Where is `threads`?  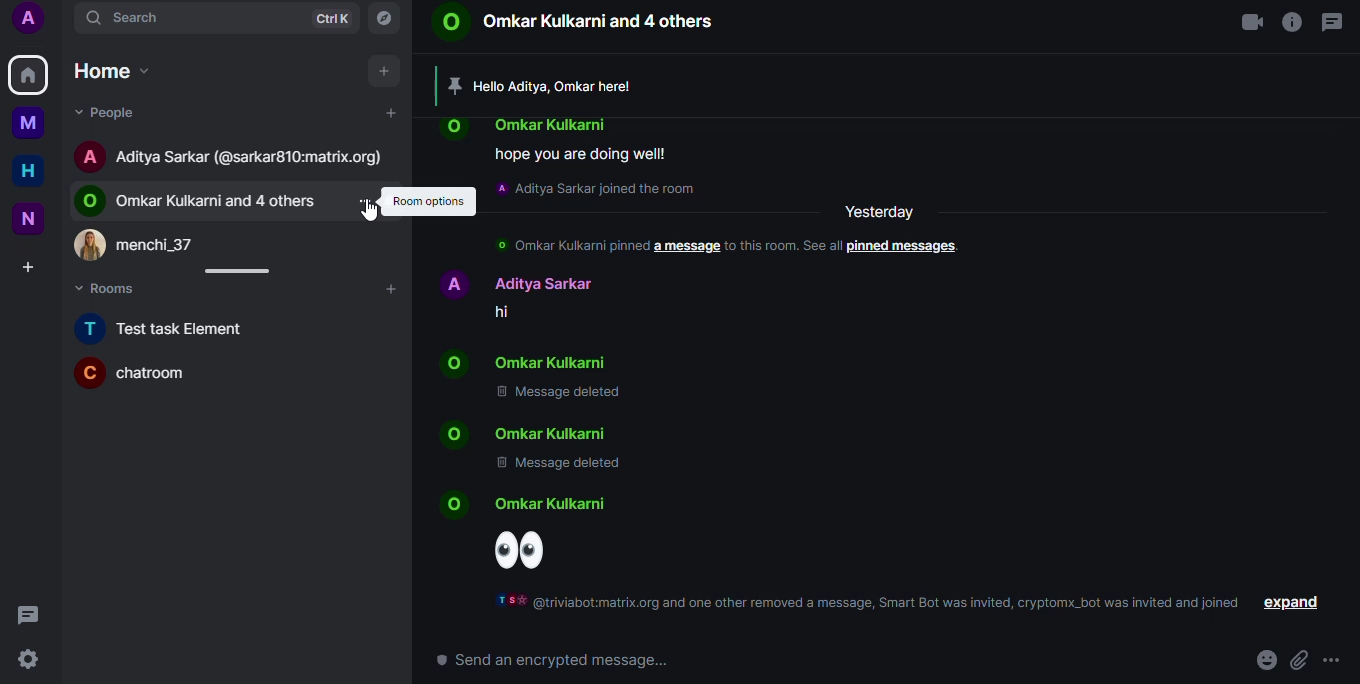
threads is located at coordinates (32, 617).